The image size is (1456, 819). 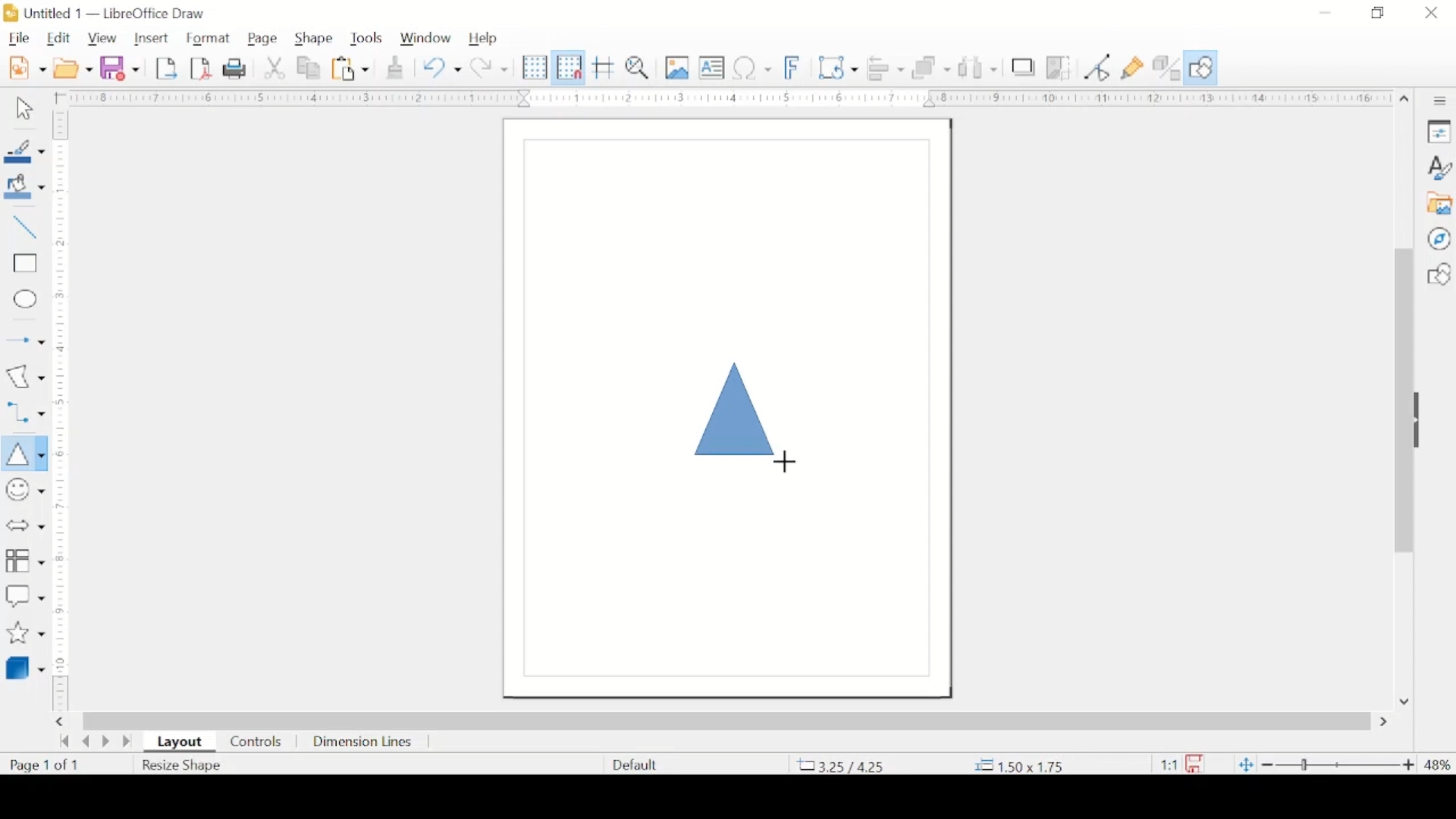 What do you see at coordinates (104, 37) in the screenshot?
I see `view` at bounding box center [104, 37].